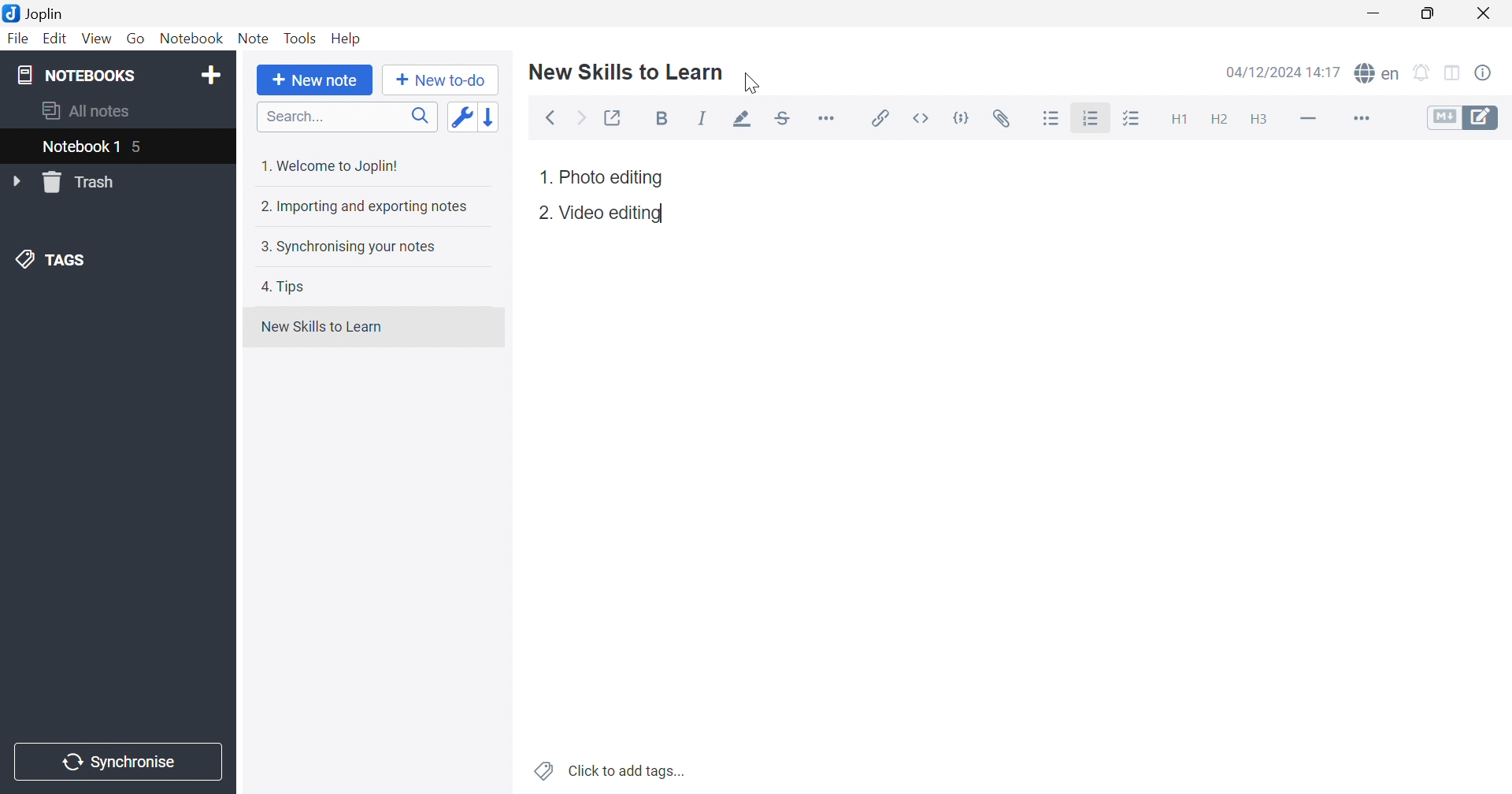 This screenshot has height=794, width=1512. What do you see at coordinates (94, 39) in the screenshot?
I see `View` at bounding box center [94, 39].